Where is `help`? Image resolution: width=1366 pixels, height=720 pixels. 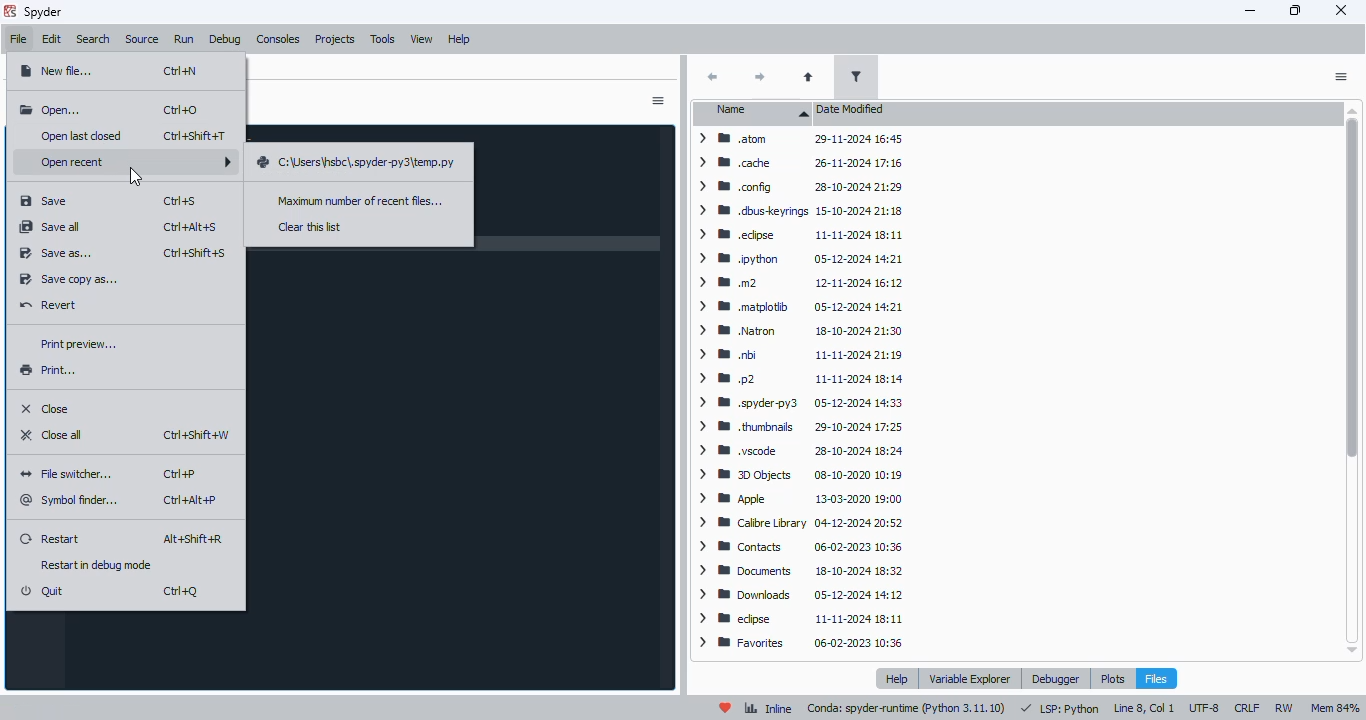
help is located at coordinates (899, 679).